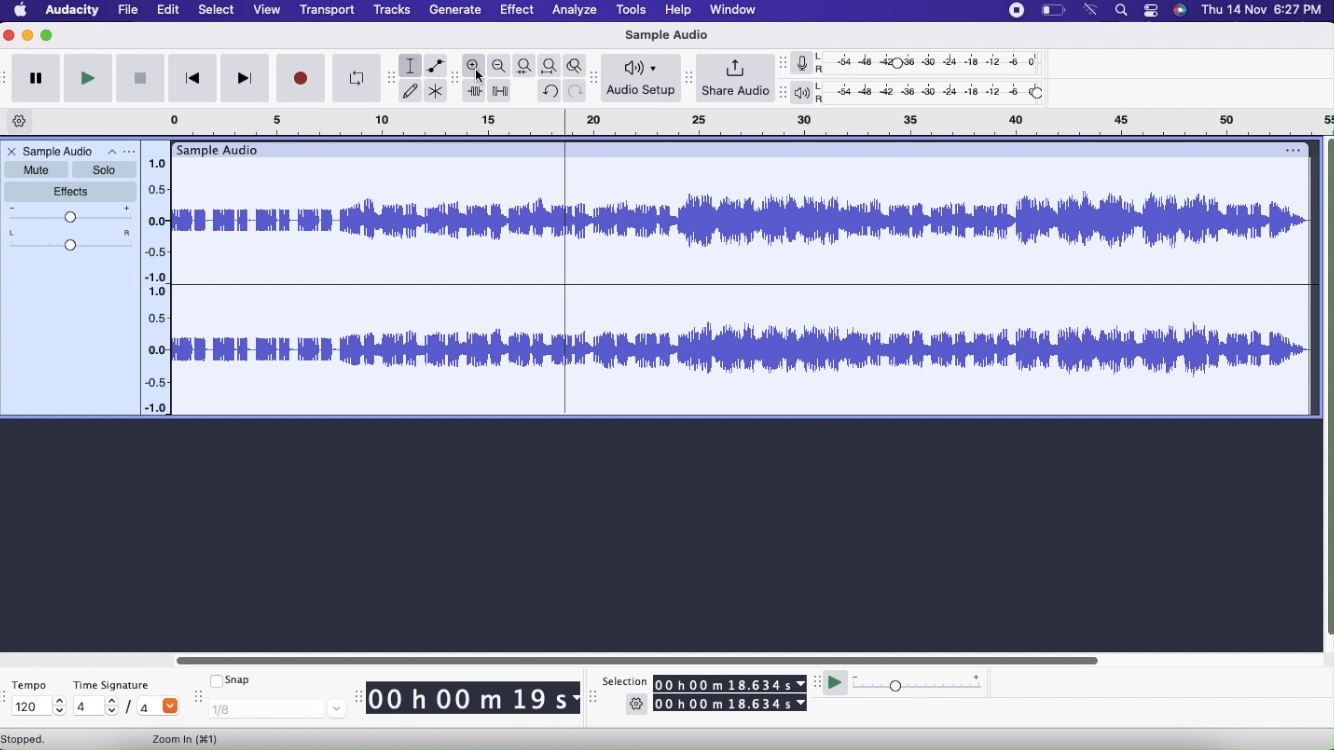  What do you see at coordinates (499, 91) in the screenshot?
I see `Silence audio selection` at bounding box center [499, 91].